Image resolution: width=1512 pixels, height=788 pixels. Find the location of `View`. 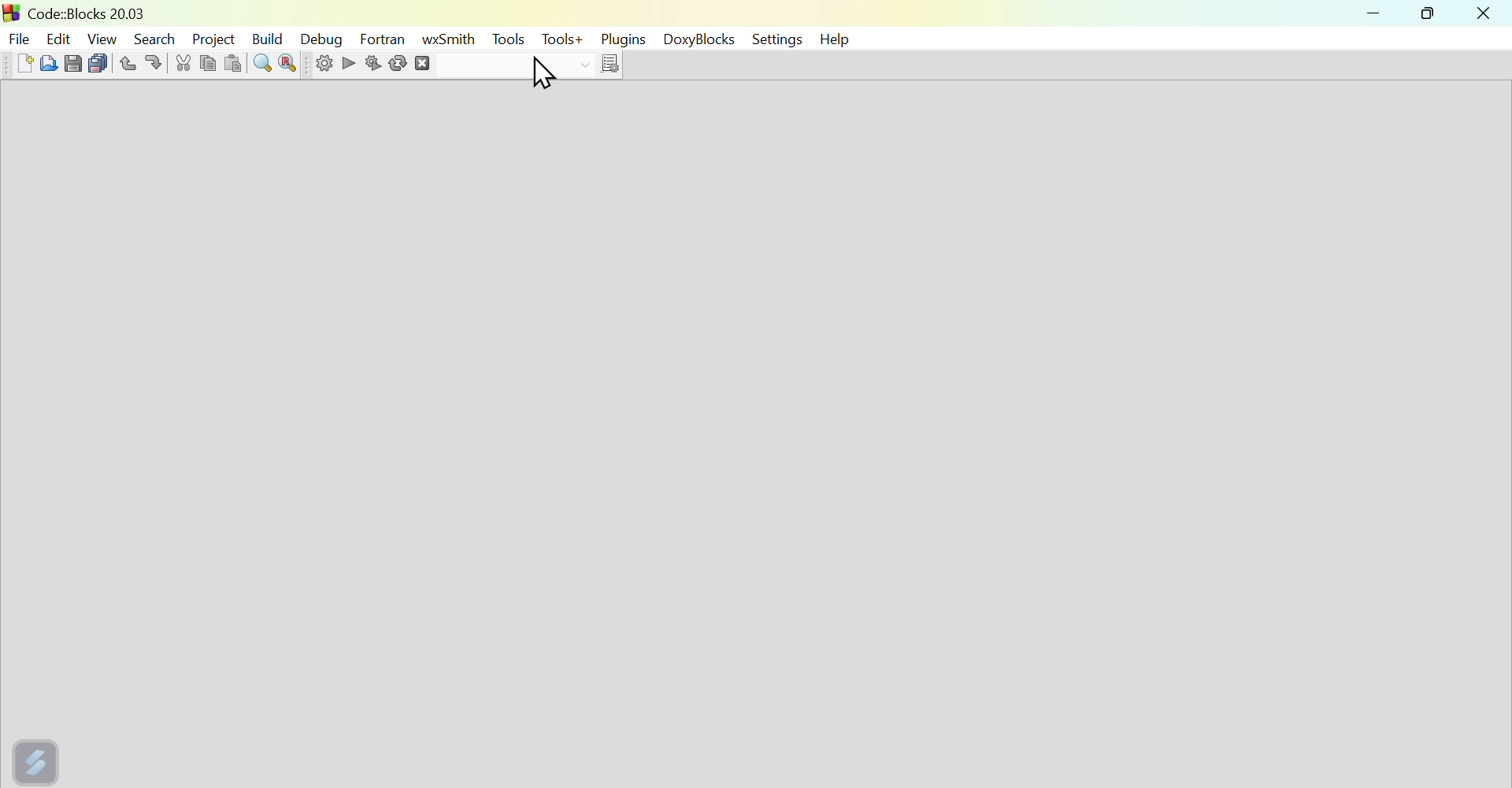

View is located at coordinates (103, 36).